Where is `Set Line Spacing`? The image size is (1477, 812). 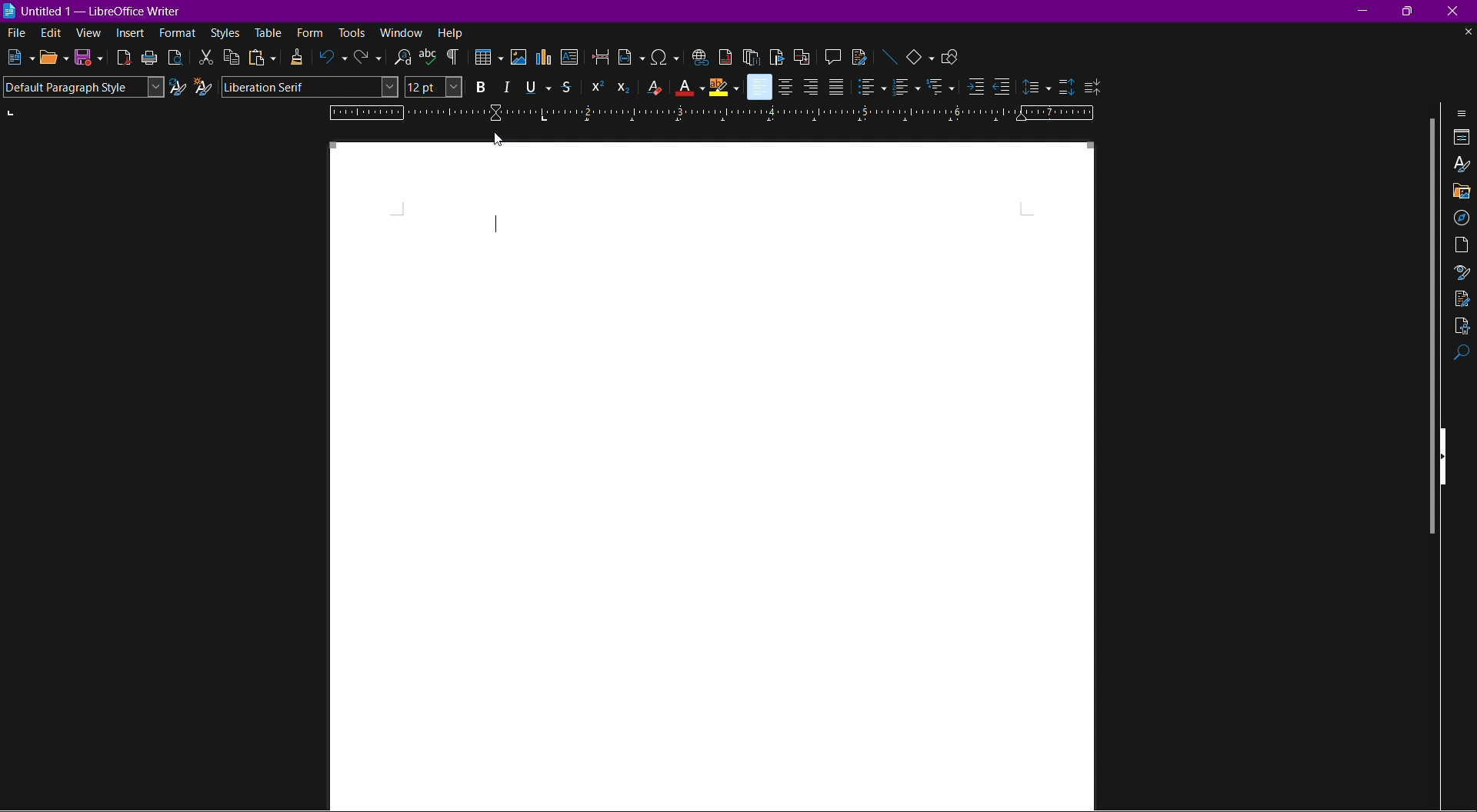 Set Line Spacing is located at coordinates (1036, 85).